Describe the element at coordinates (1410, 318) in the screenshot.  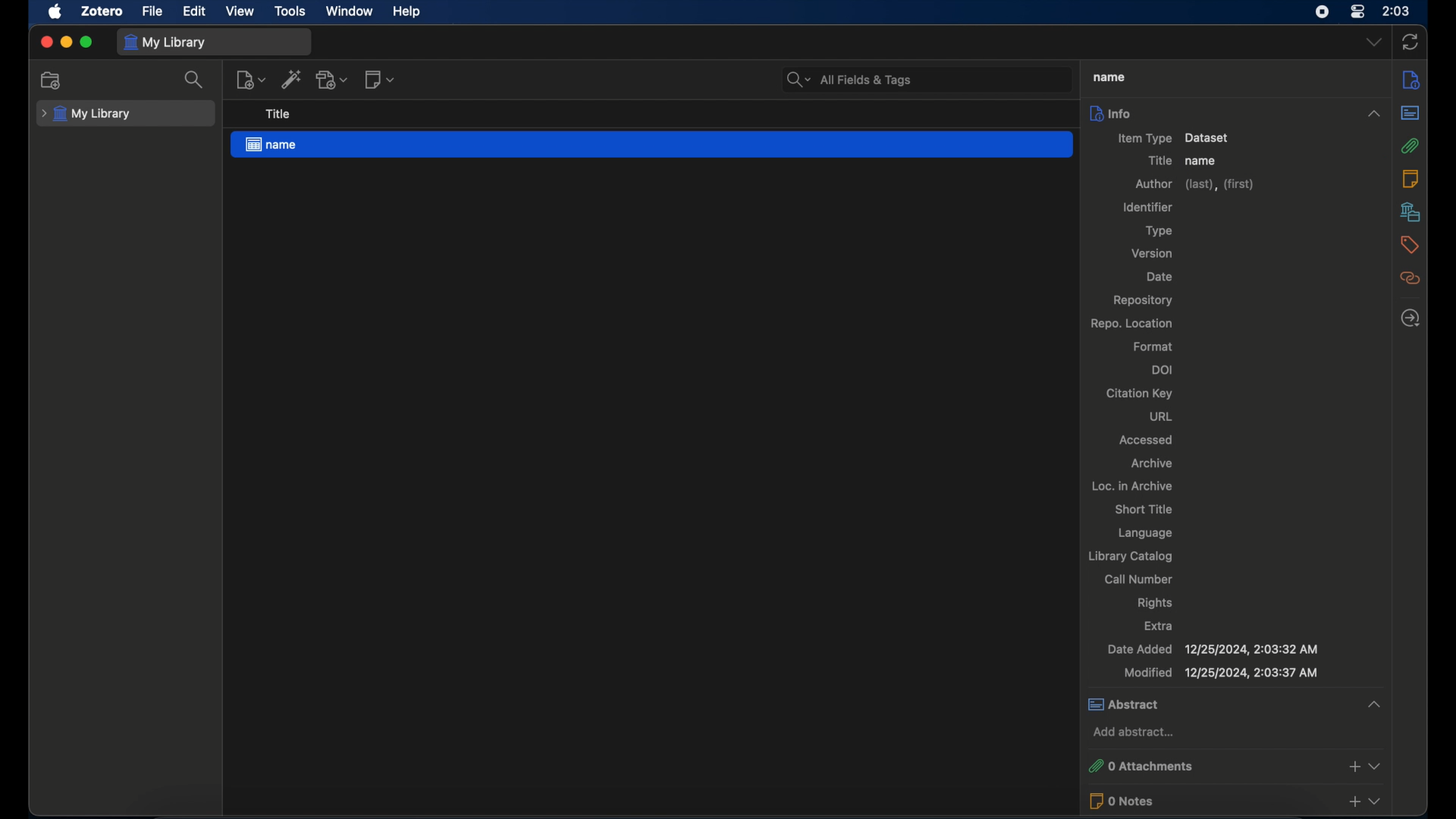
I see `locate` at that location.